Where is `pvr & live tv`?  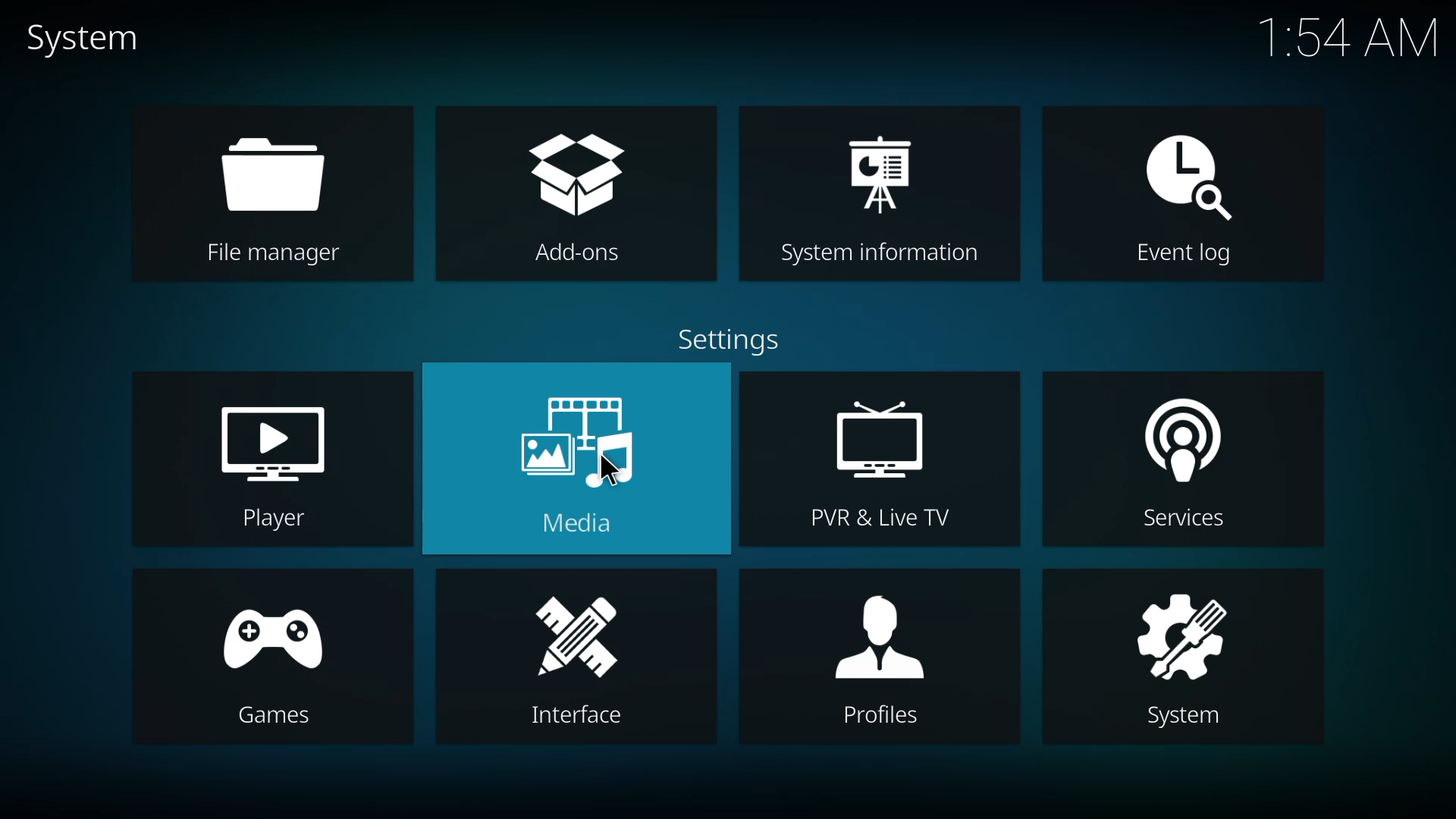 pvr & live tv is located at coordinates (874, 463).